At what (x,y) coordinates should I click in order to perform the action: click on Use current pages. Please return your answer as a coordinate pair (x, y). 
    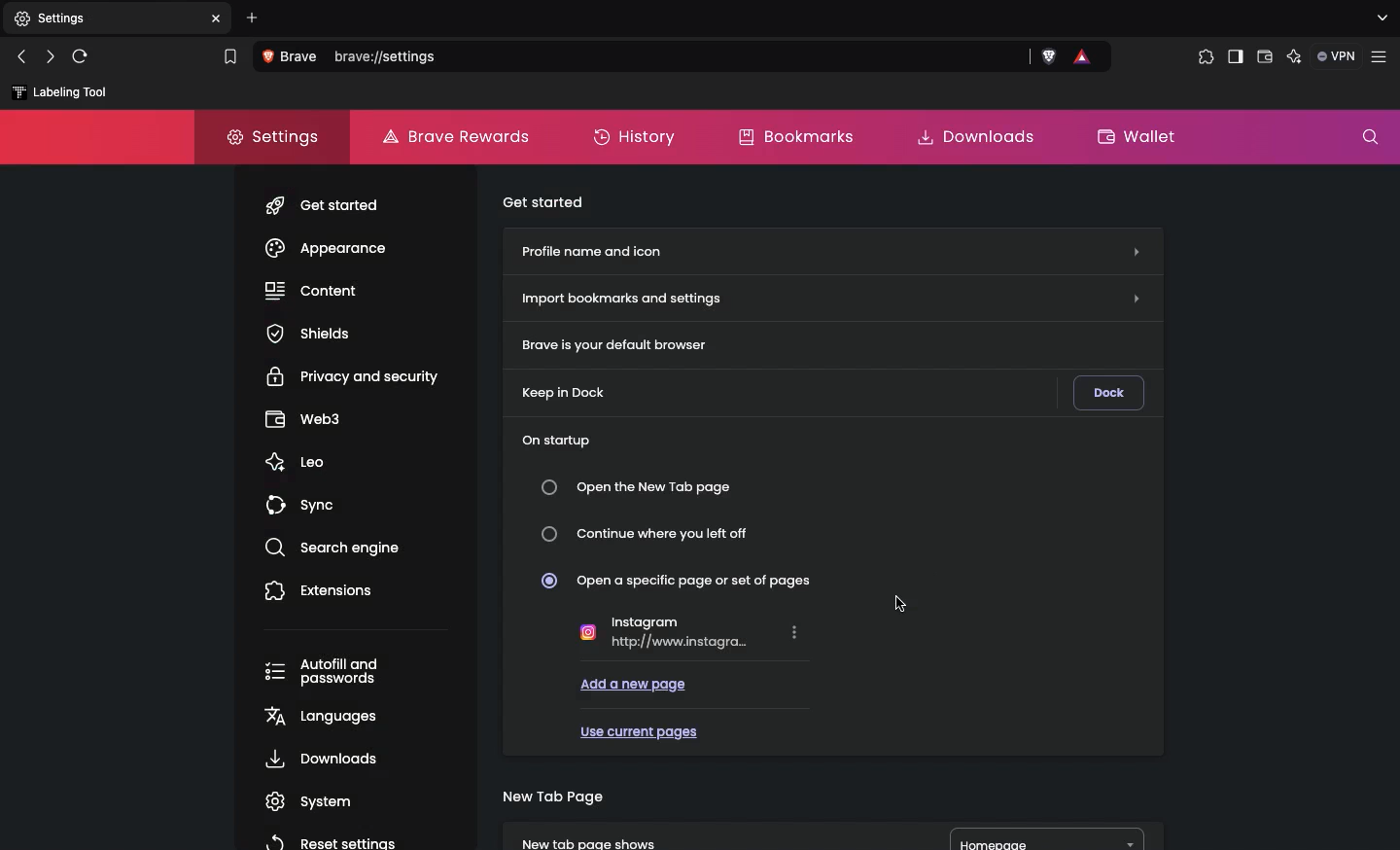
    Looking at the image, I should click on (638, 728).